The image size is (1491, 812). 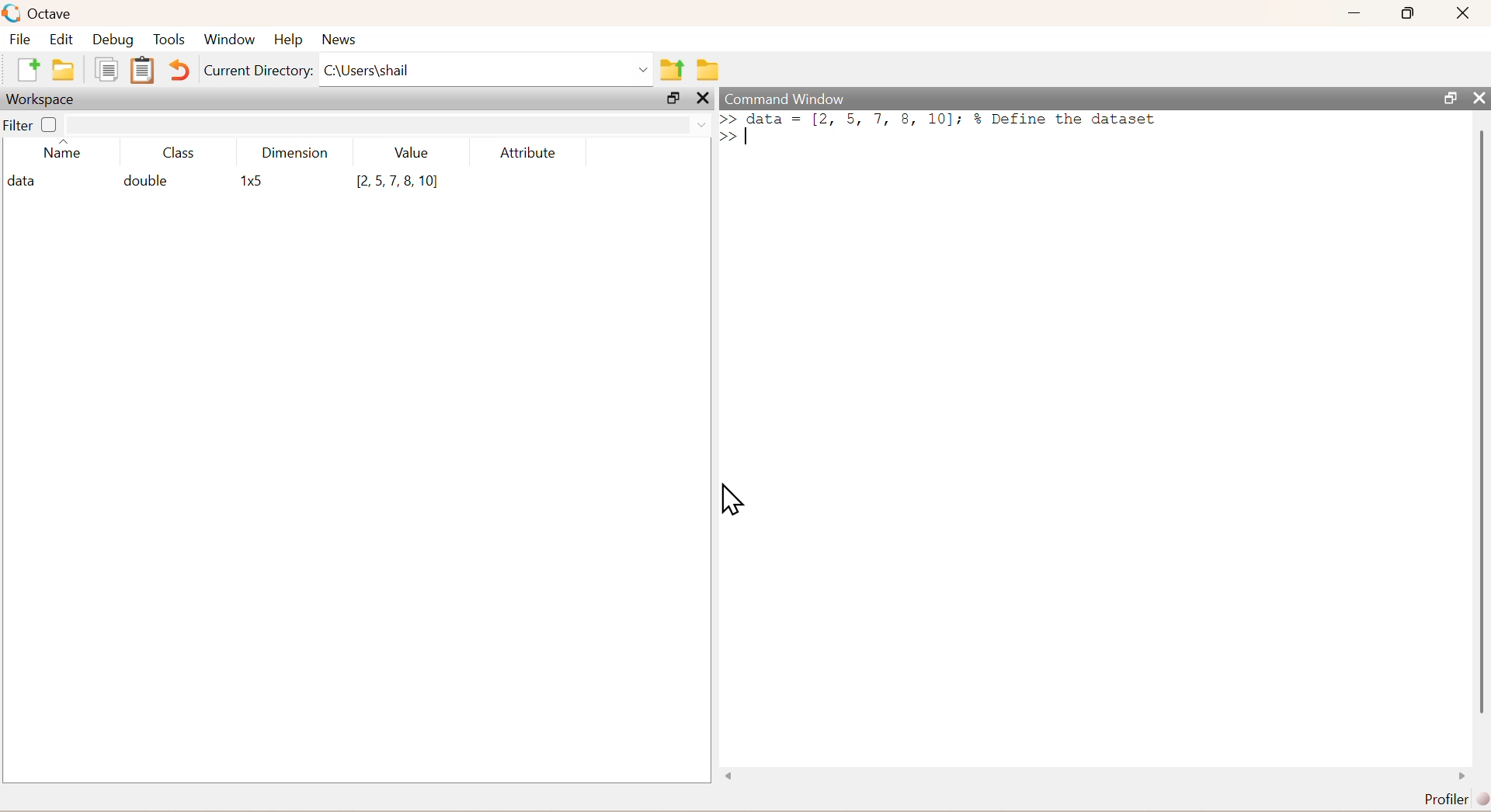 I want to click on name, so click(x=63, y=152).